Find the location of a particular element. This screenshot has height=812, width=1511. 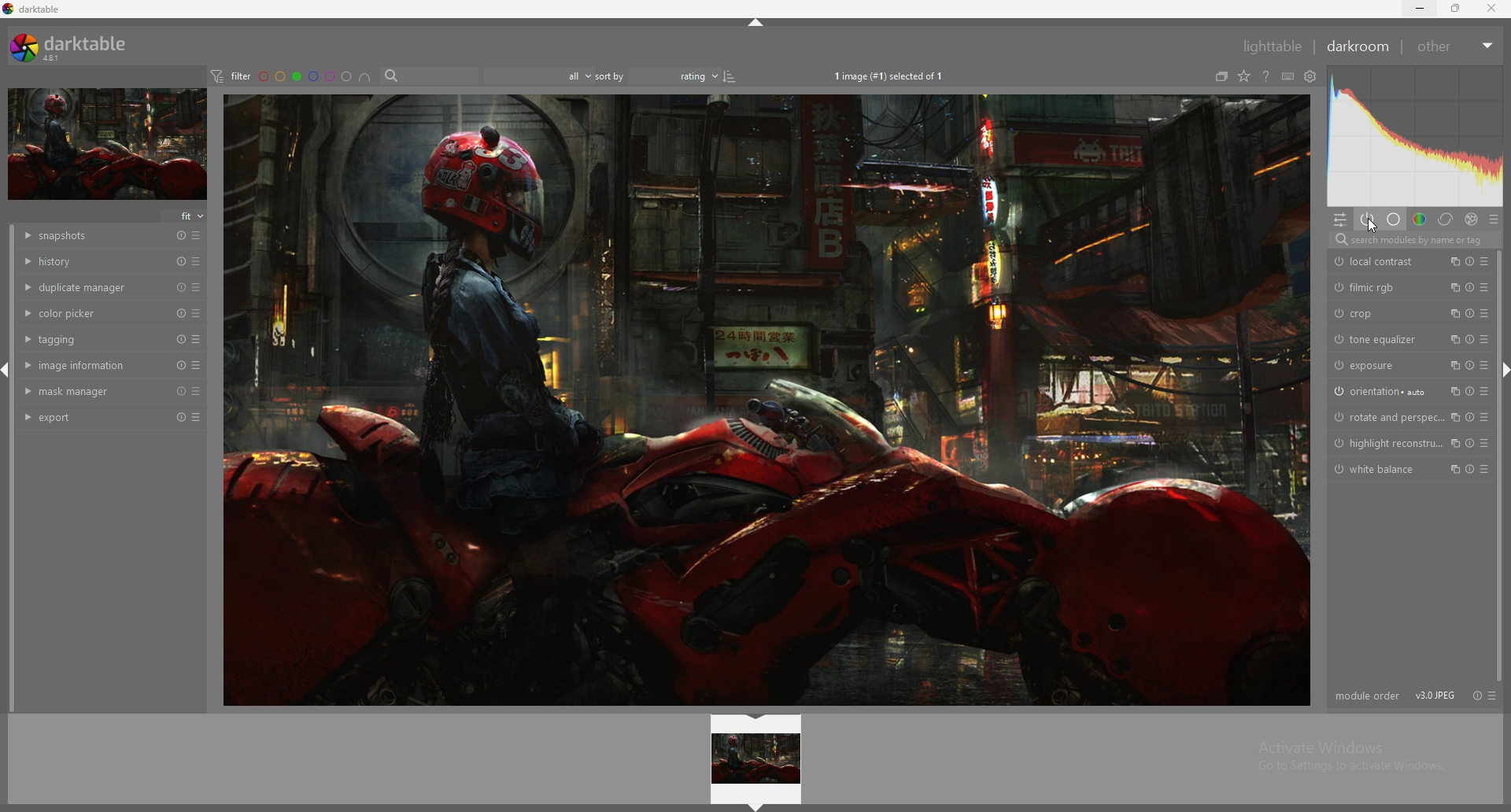

reset is located at coordinates (1468, 339).